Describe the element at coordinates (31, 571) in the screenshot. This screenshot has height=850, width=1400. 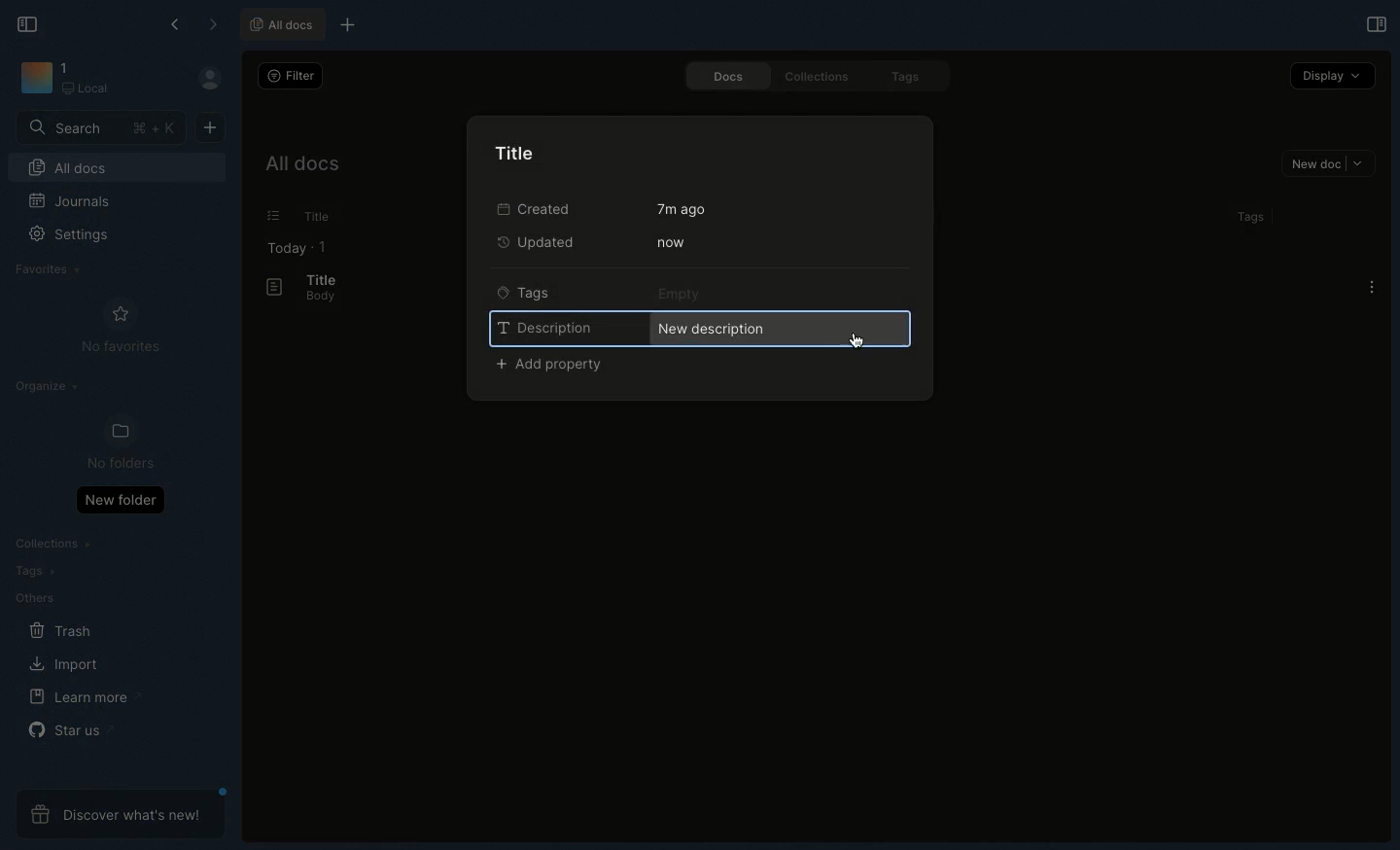
I see `Tags` at that location.